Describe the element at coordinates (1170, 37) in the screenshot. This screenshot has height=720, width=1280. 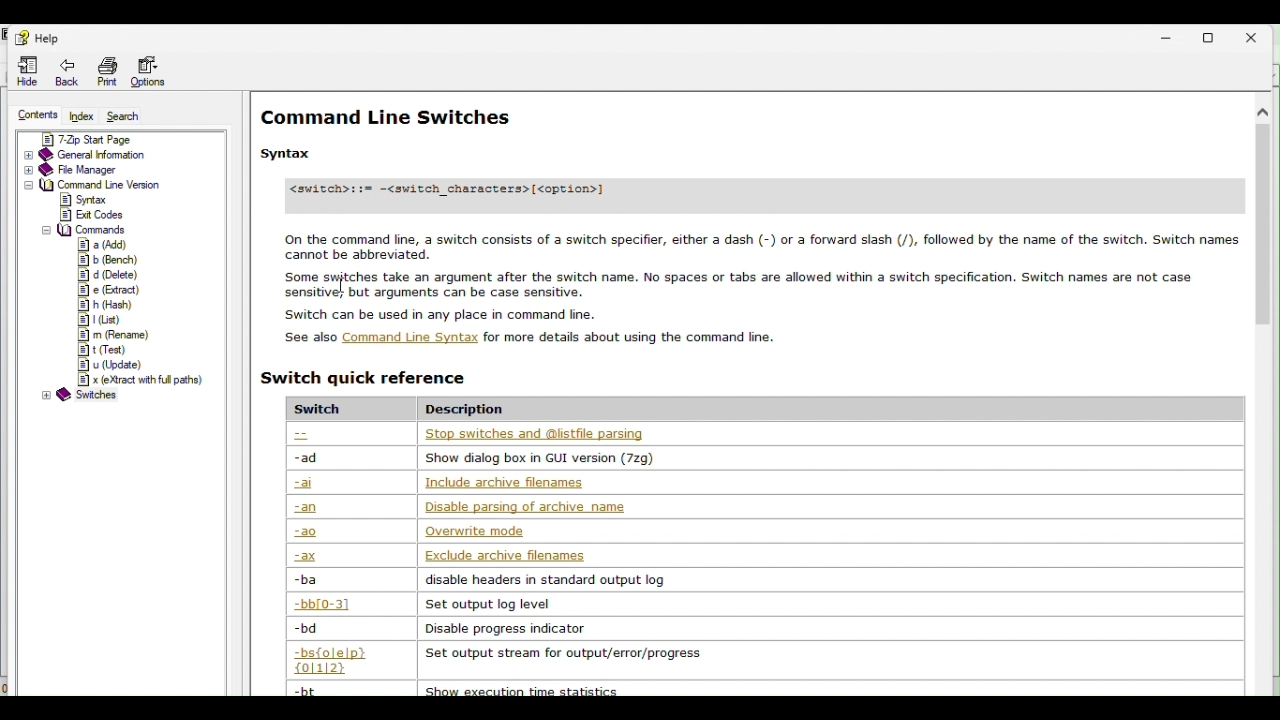
I see `Minimize` at that location.